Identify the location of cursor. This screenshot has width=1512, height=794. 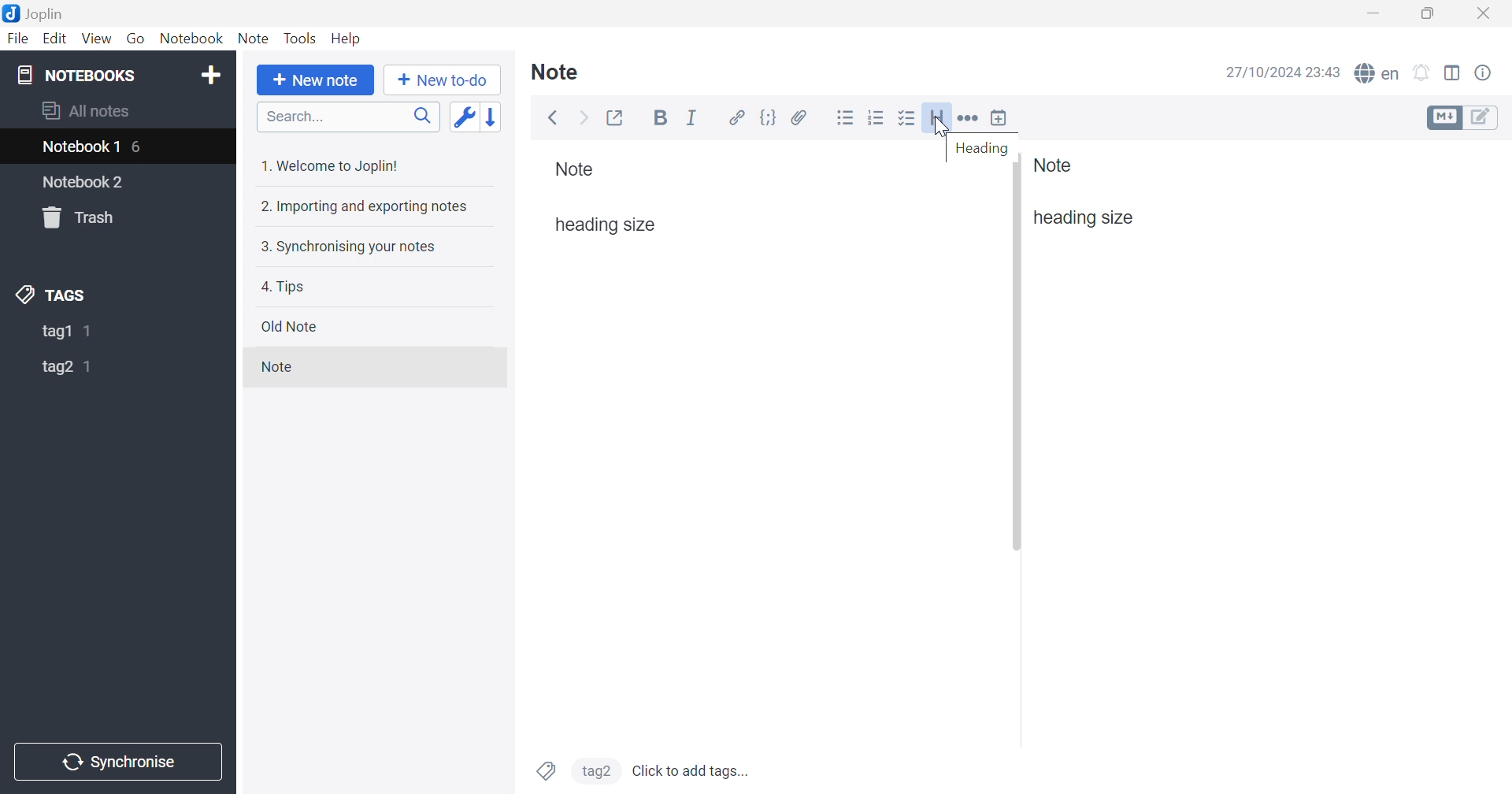
(947, 131).